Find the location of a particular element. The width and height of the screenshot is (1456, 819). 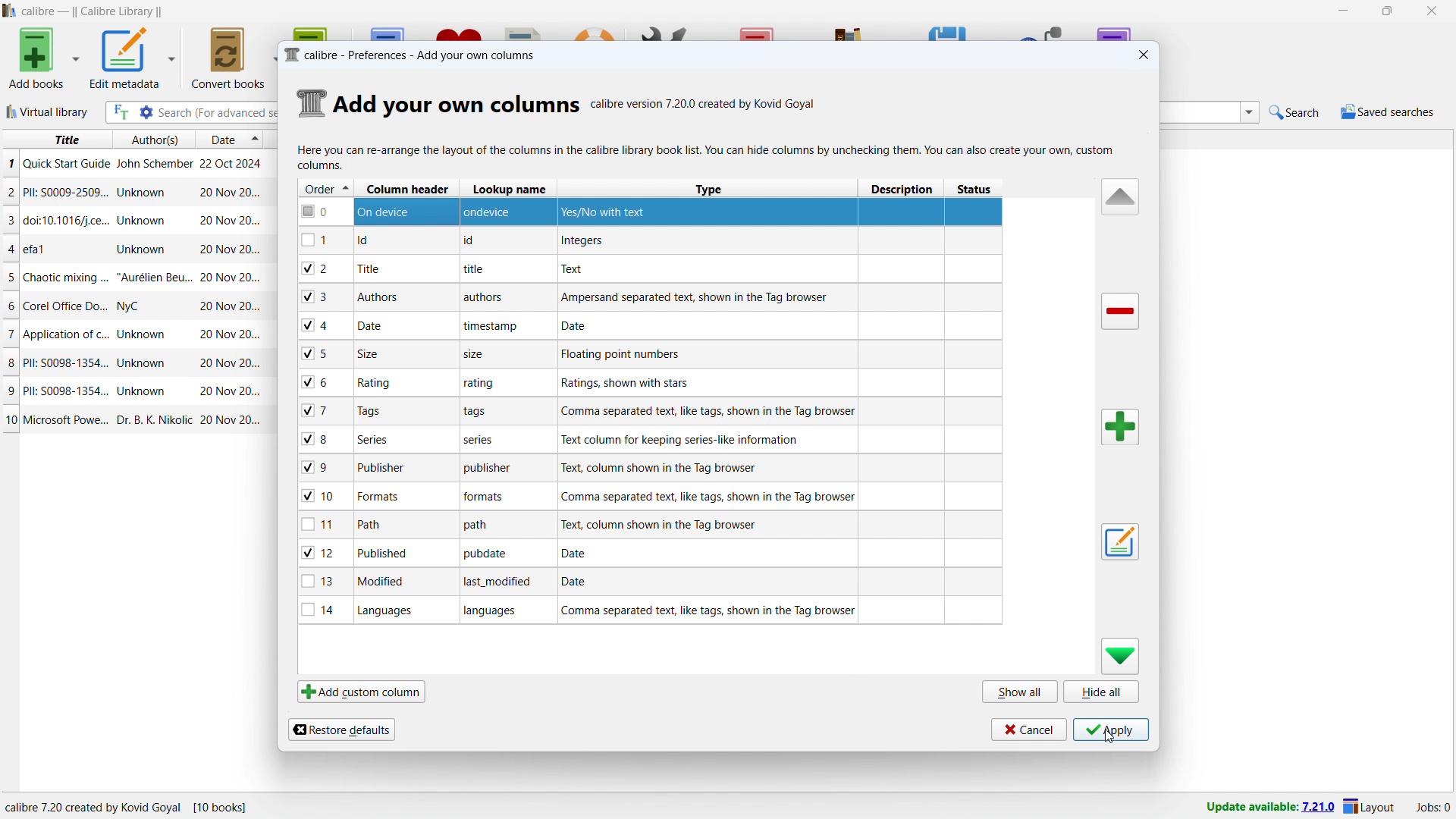

add column is located at coordinates (1121, 427).